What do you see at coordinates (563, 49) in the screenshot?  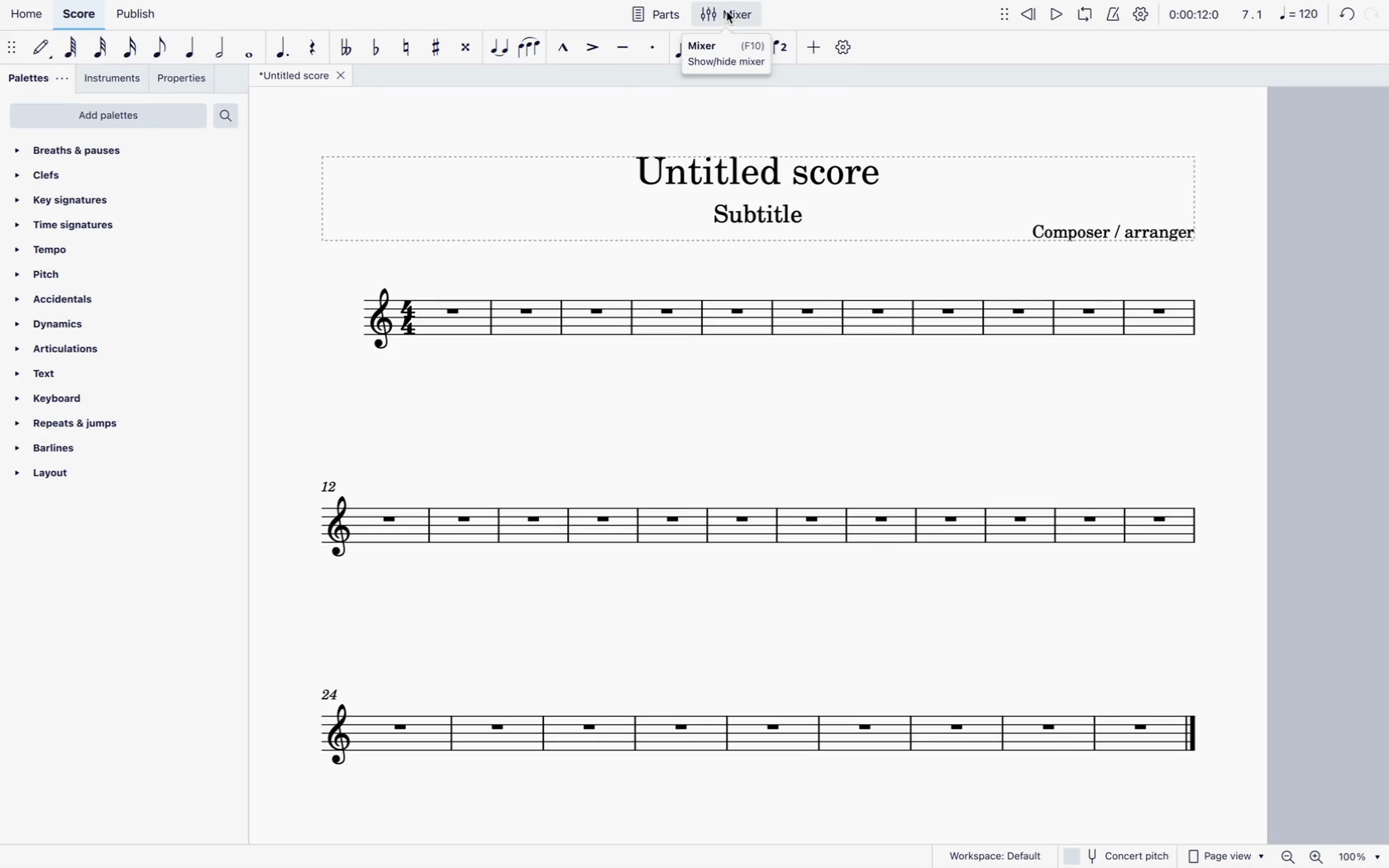 I see `marcatto` at bounding box center [563, 49].